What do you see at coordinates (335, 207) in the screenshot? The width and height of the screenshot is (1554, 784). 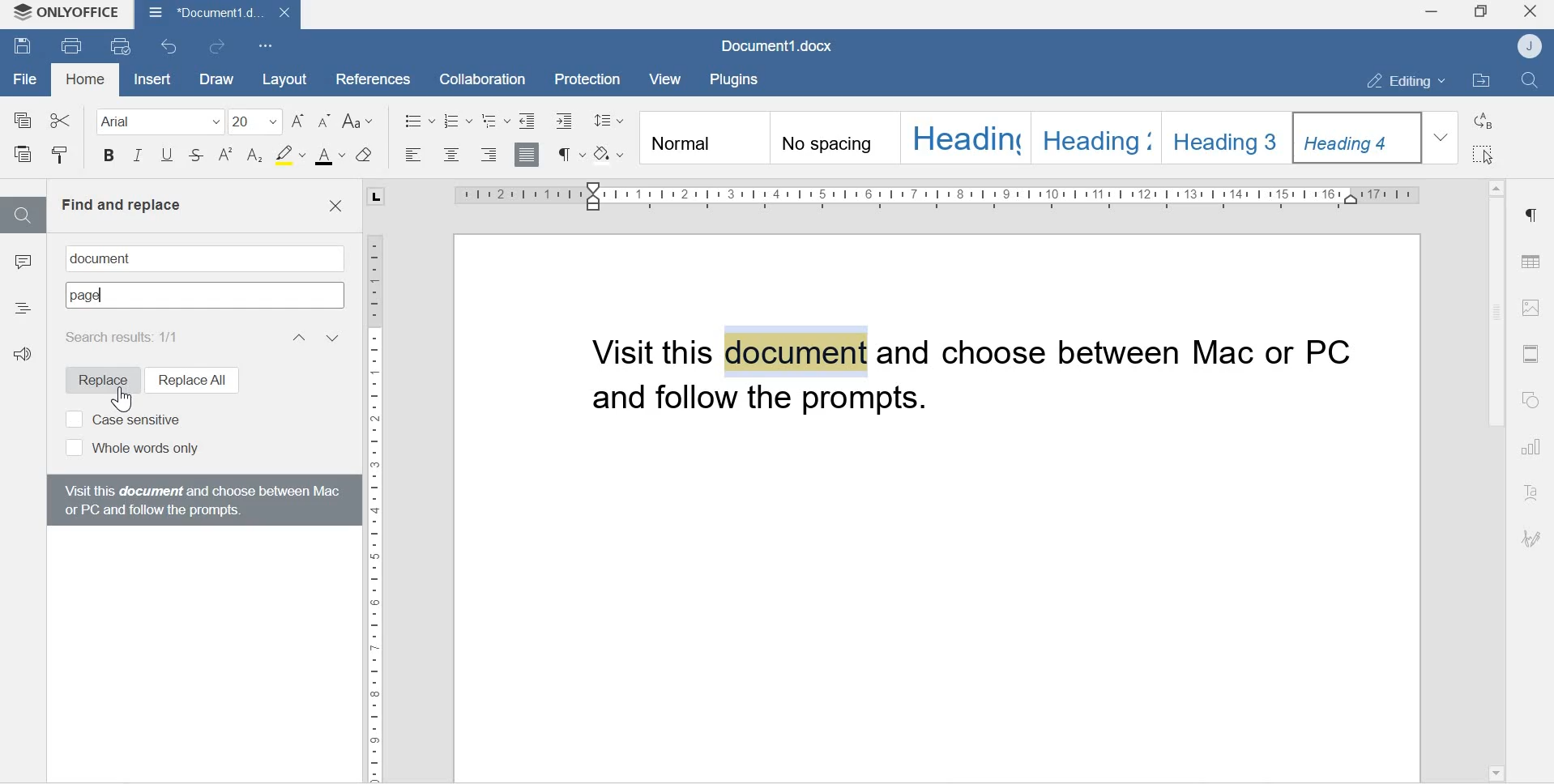 I see `Close find` at bounding box center [335, 207].